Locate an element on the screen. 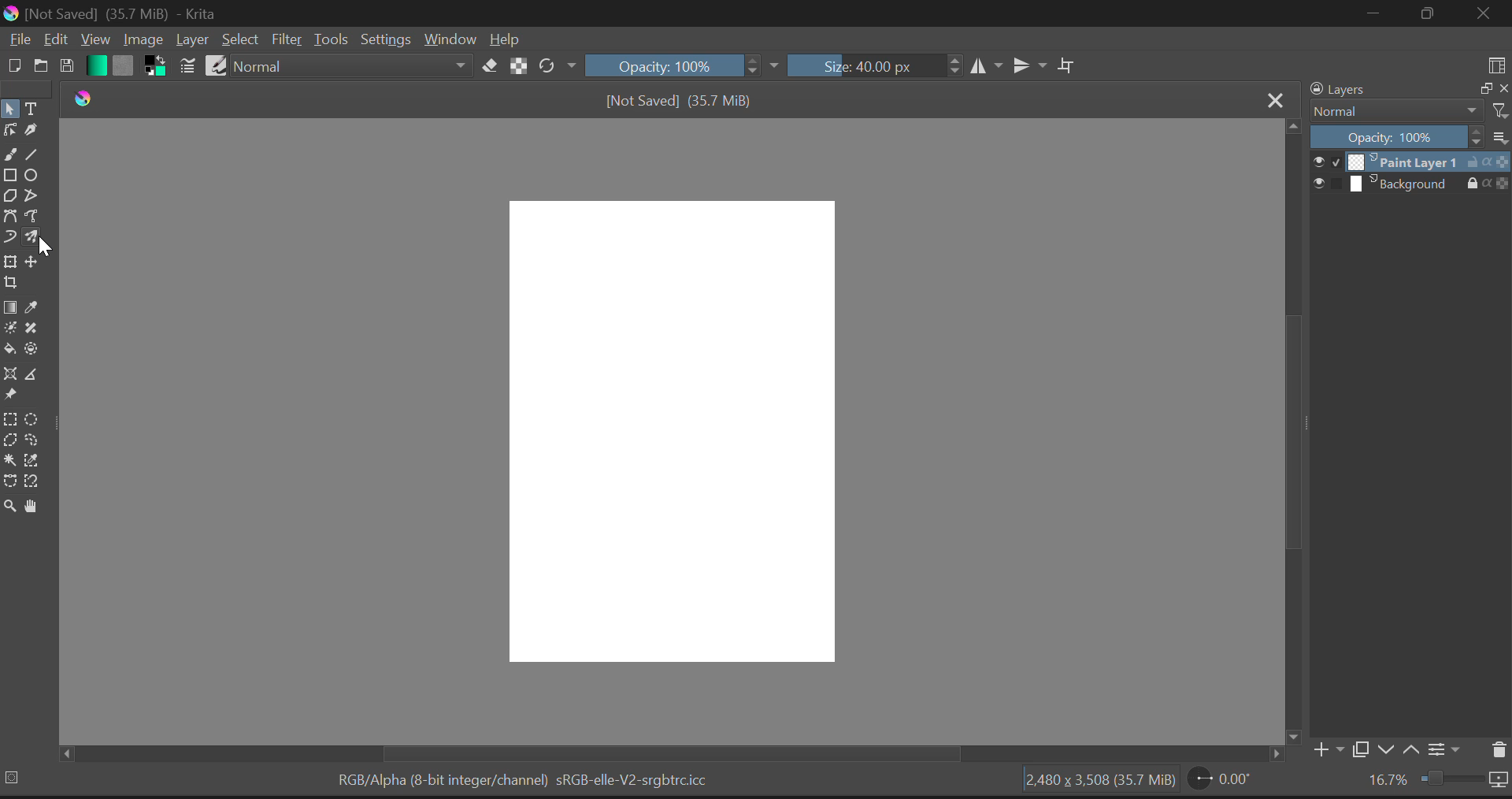 The image size is (1512, 799). Assistant Tool is located at coordinates (9, 374).